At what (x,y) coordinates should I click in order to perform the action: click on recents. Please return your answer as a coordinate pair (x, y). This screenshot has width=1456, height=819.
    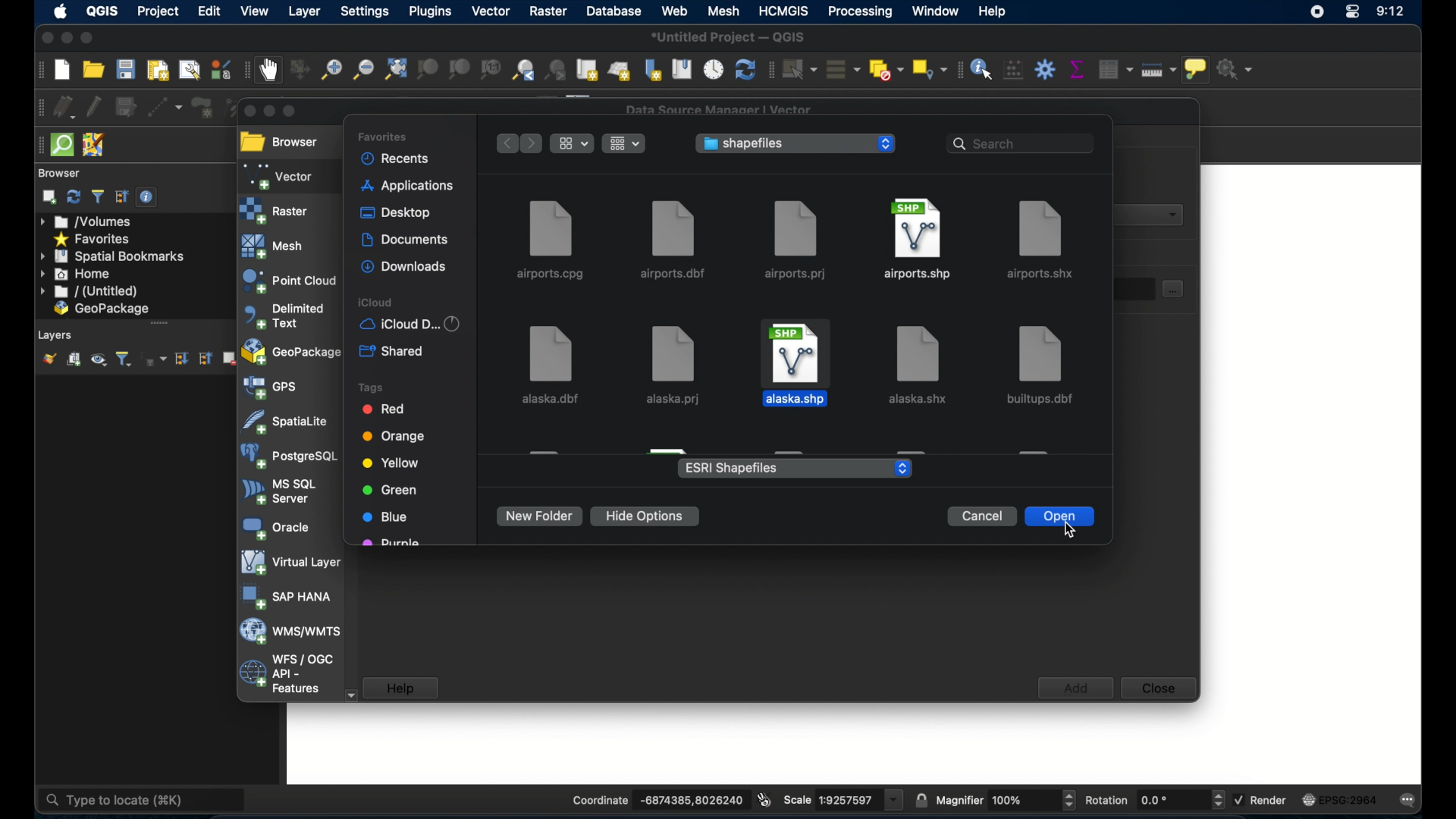
    Looking at the image, I should click on (397, 158).